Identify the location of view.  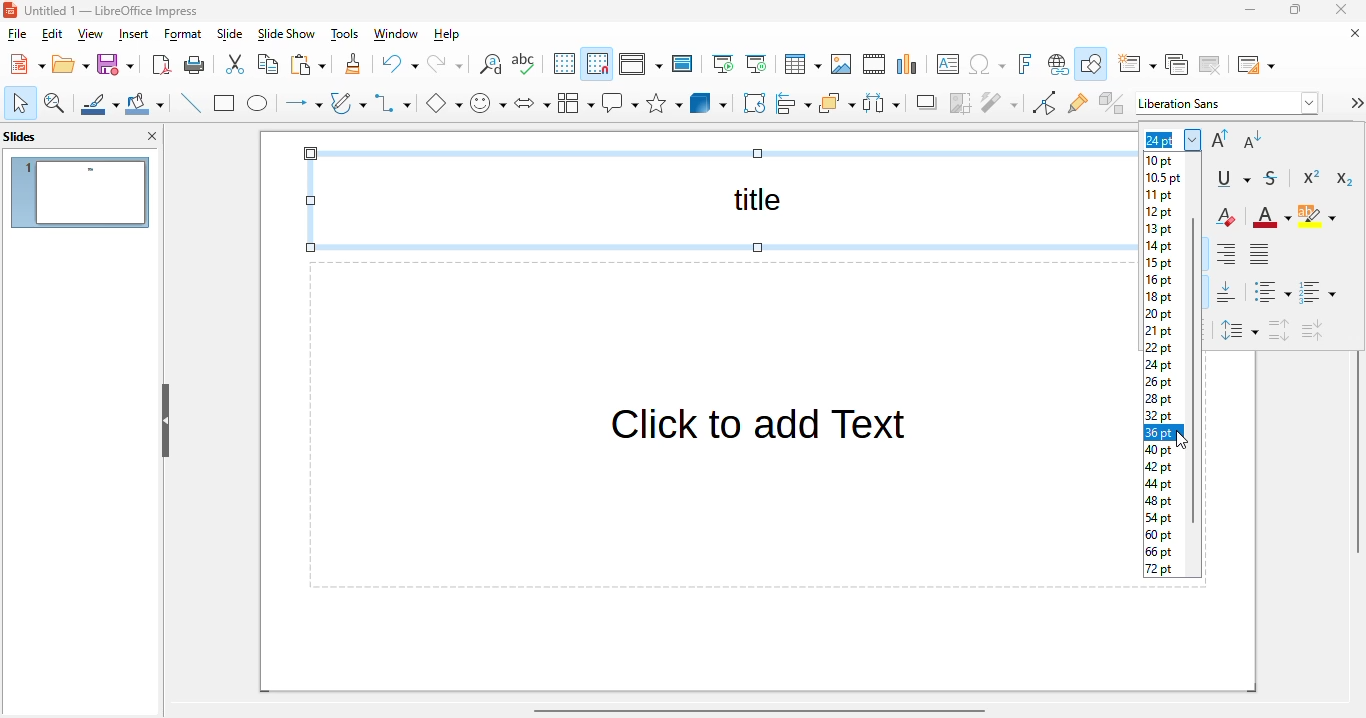
(90, 35).